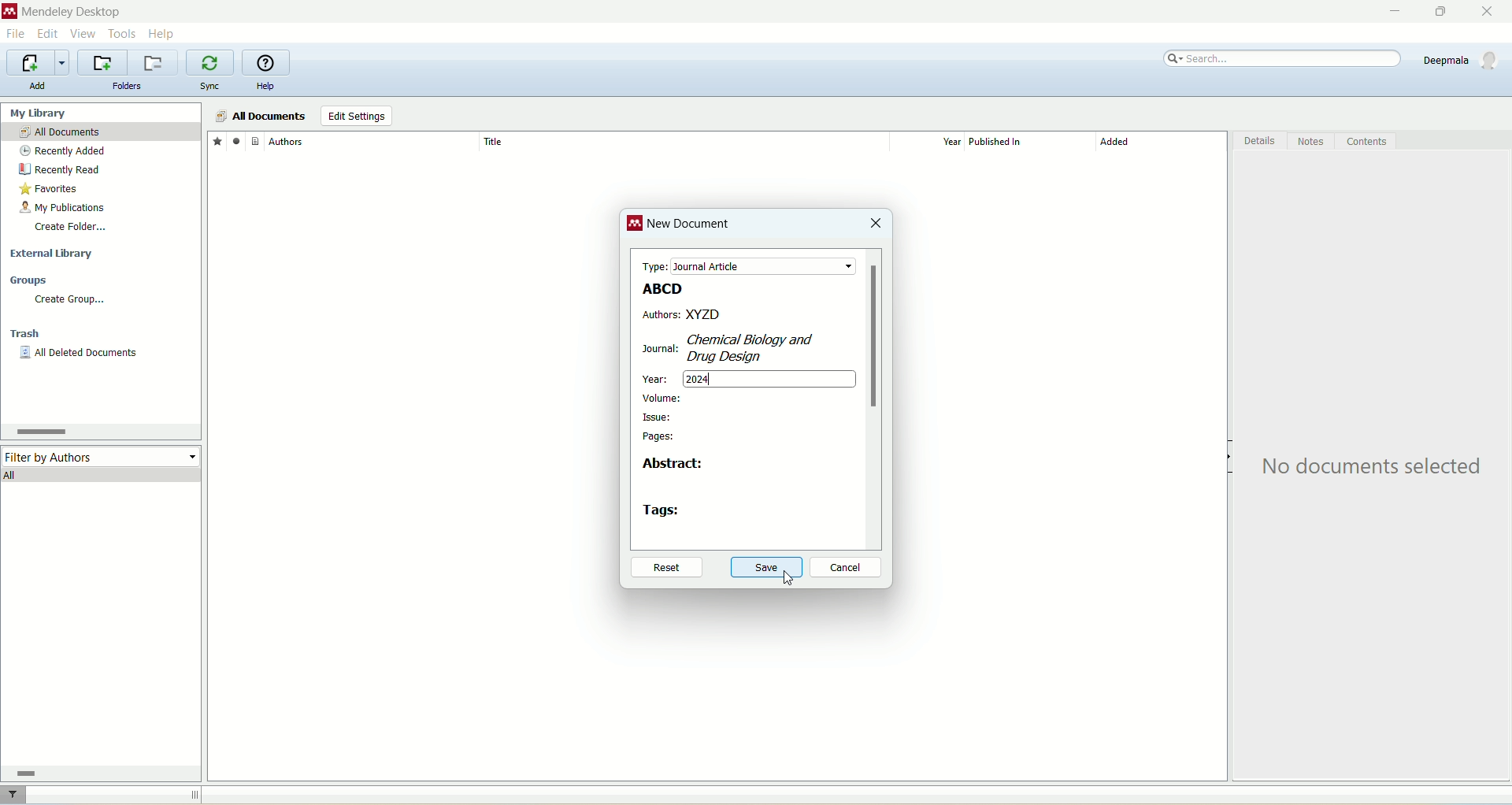 The height and width of the screenshot is (805, 1512). What do you see at coordinates (212, 63) in the screenshot?
I see `synchronize library with mendeley web` at bounding box center [212, 63].